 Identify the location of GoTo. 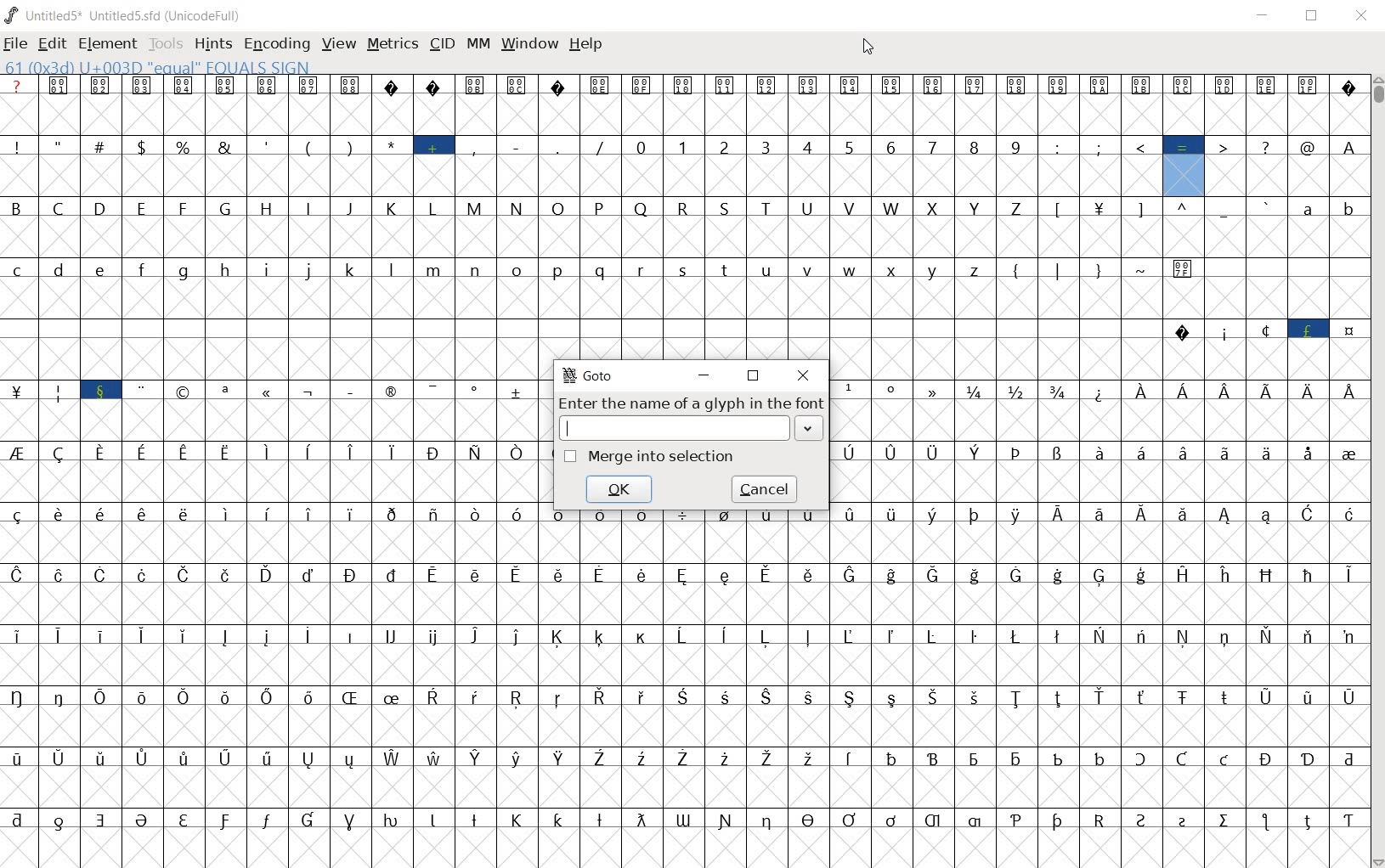
(588, 375).